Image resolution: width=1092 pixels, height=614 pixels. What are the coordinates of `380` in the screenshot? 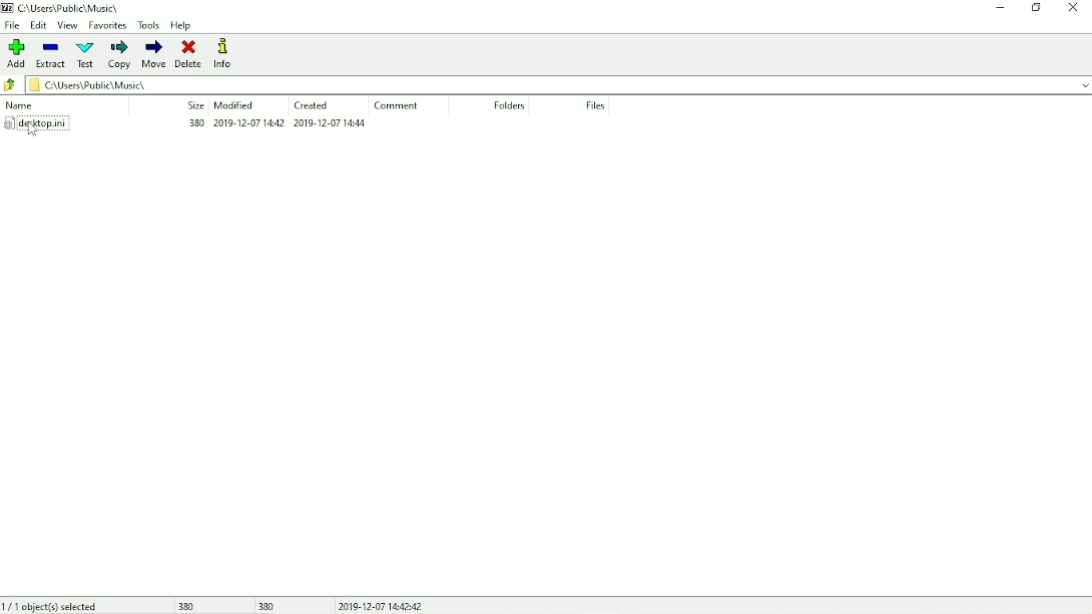 It's located at (268, 605).